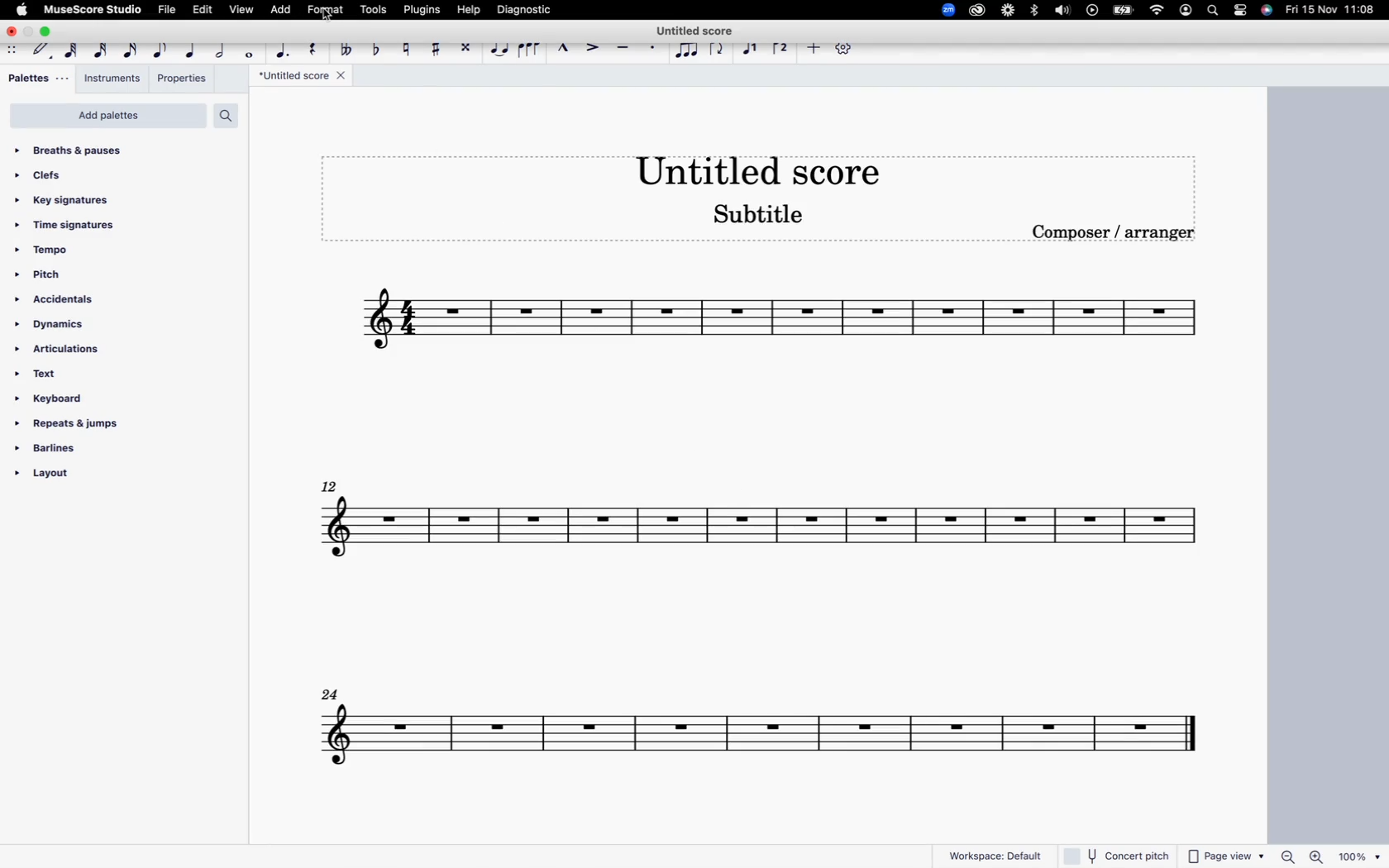  What do you see at coordinates (790, 321) in the screenshot?
I see `score` at bounding box center [790, 321].